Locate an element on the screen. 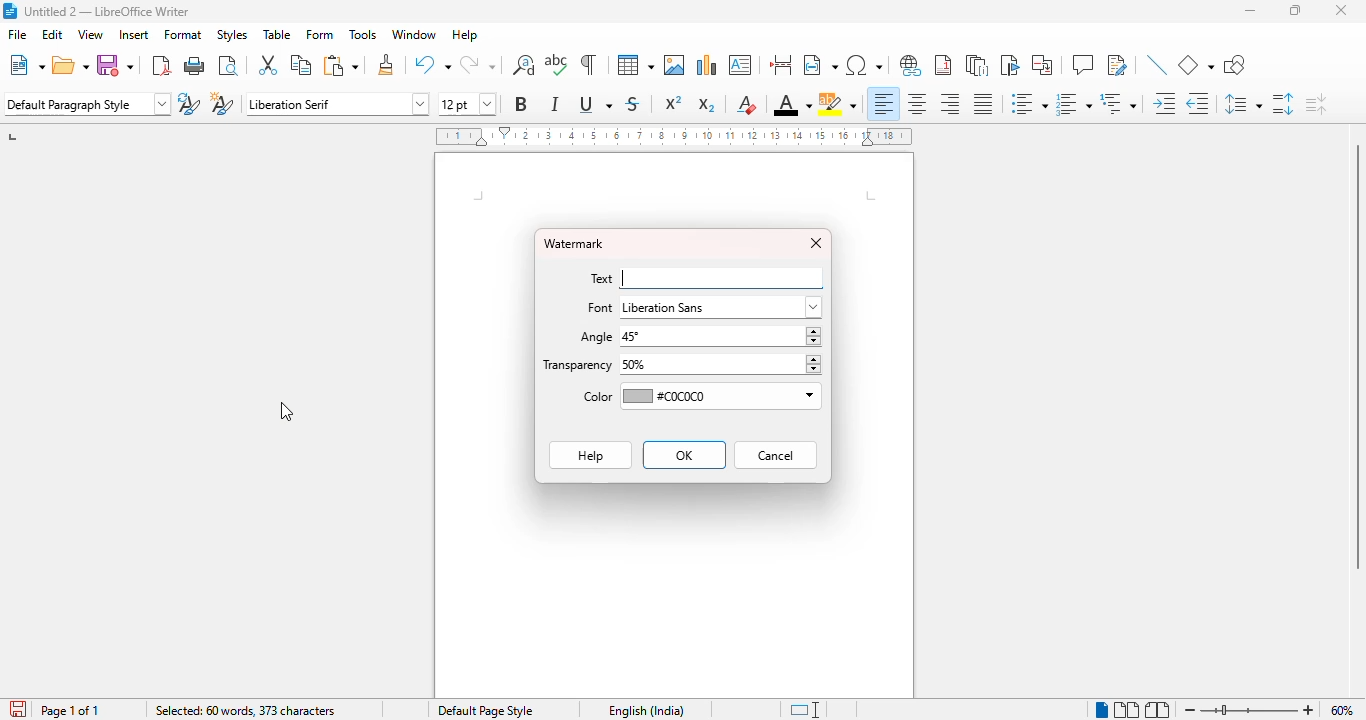 This screenshot has width=1366, height=720. align right is located at coordinates (949, 103).